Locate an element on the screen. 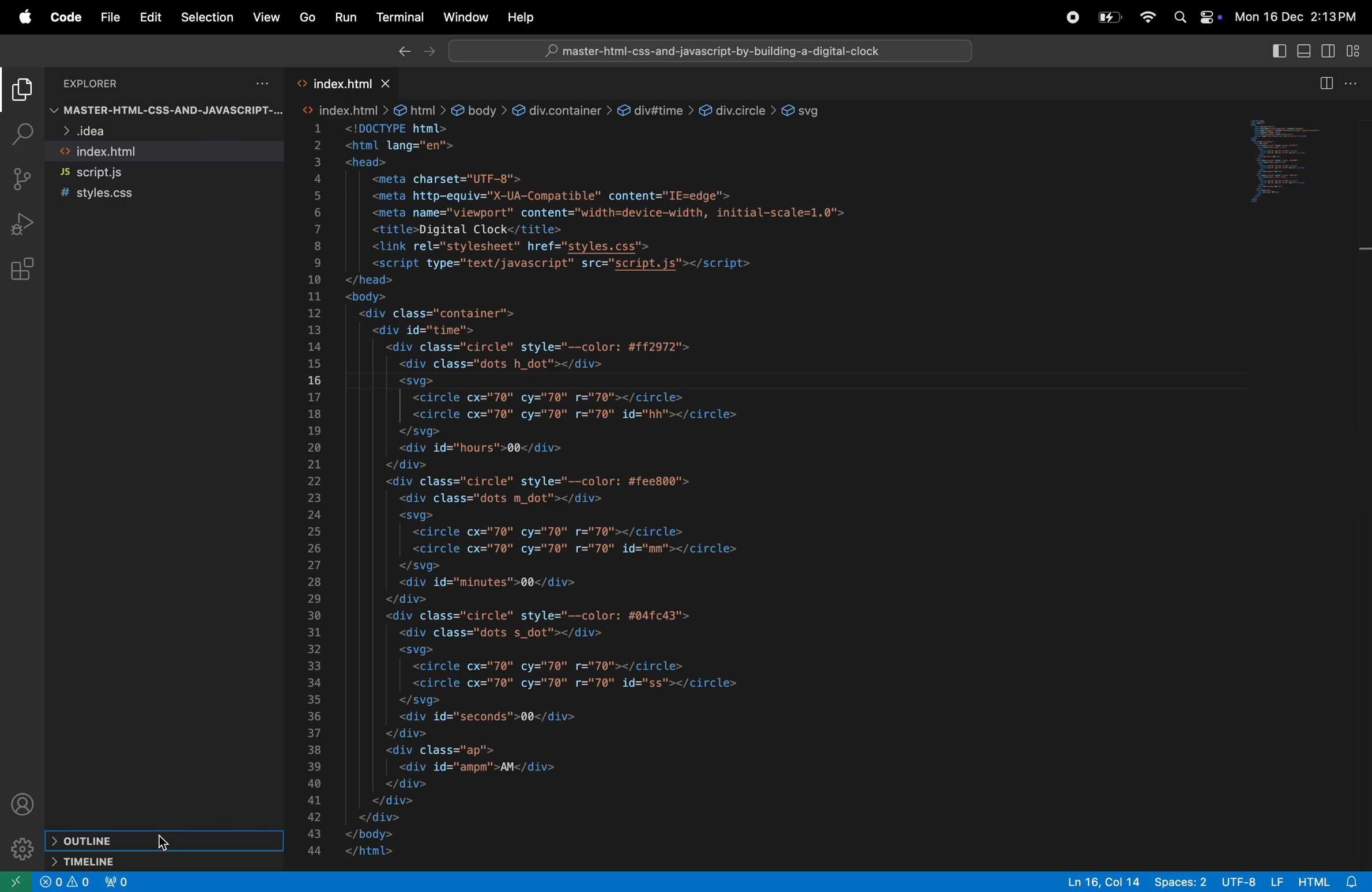 The width and height of the screenshot is (1372, 892). no ports forwarded is located at coordinates (120, 881).